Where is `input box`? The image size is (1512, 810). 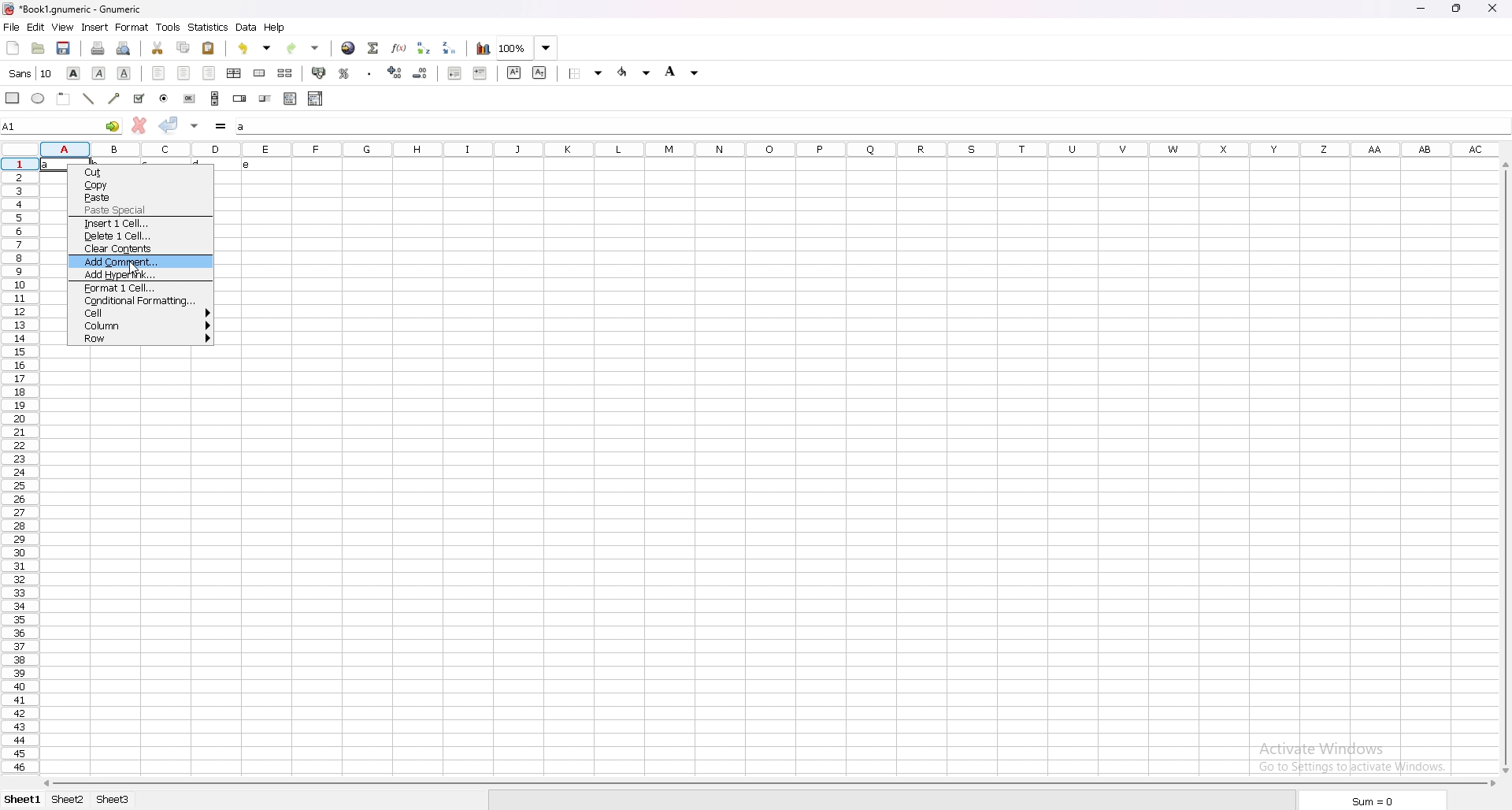
input box is located at coordinates (872, 127).